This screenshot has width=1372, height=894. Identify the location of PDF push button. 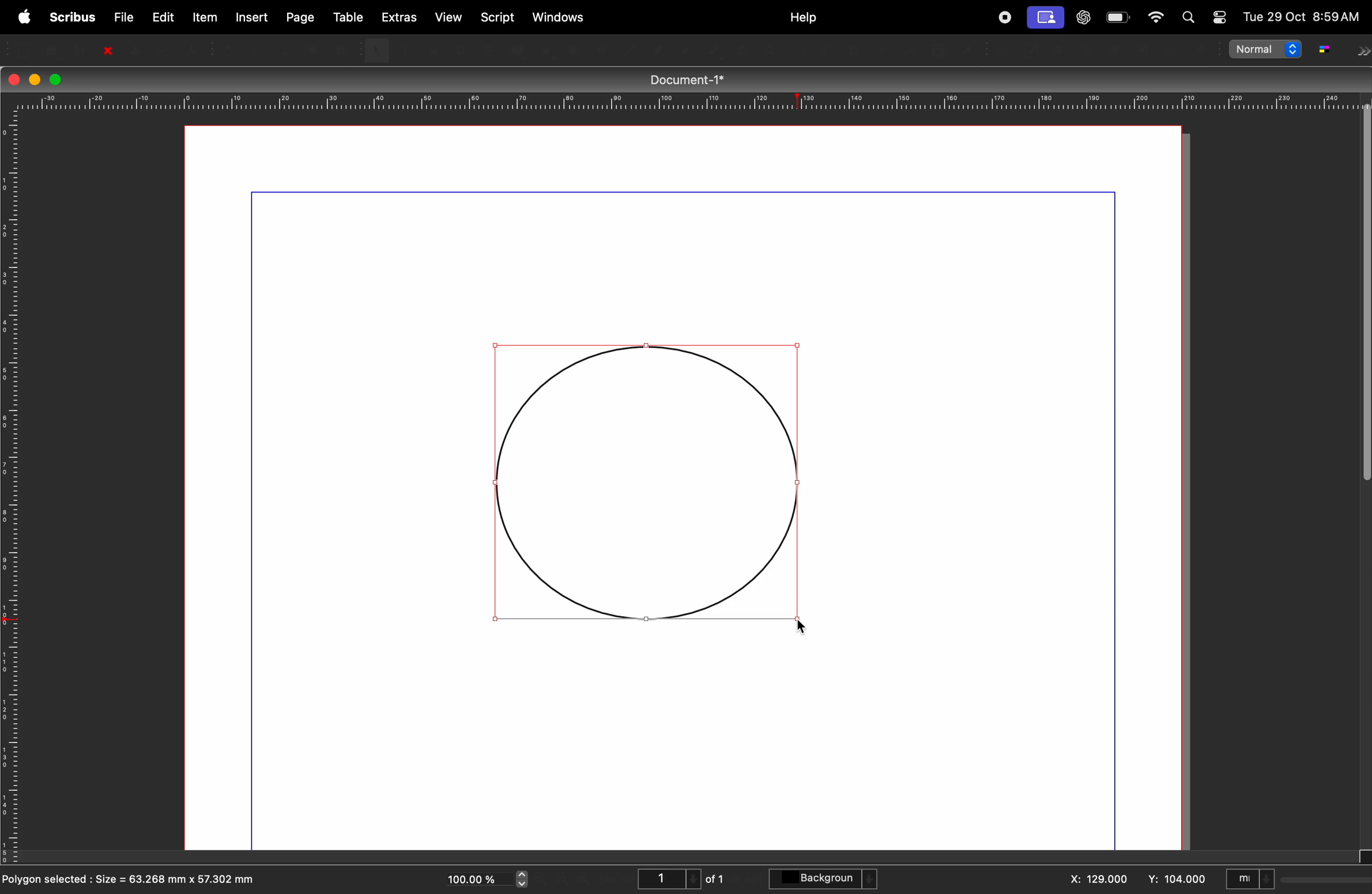
(1007, 51).